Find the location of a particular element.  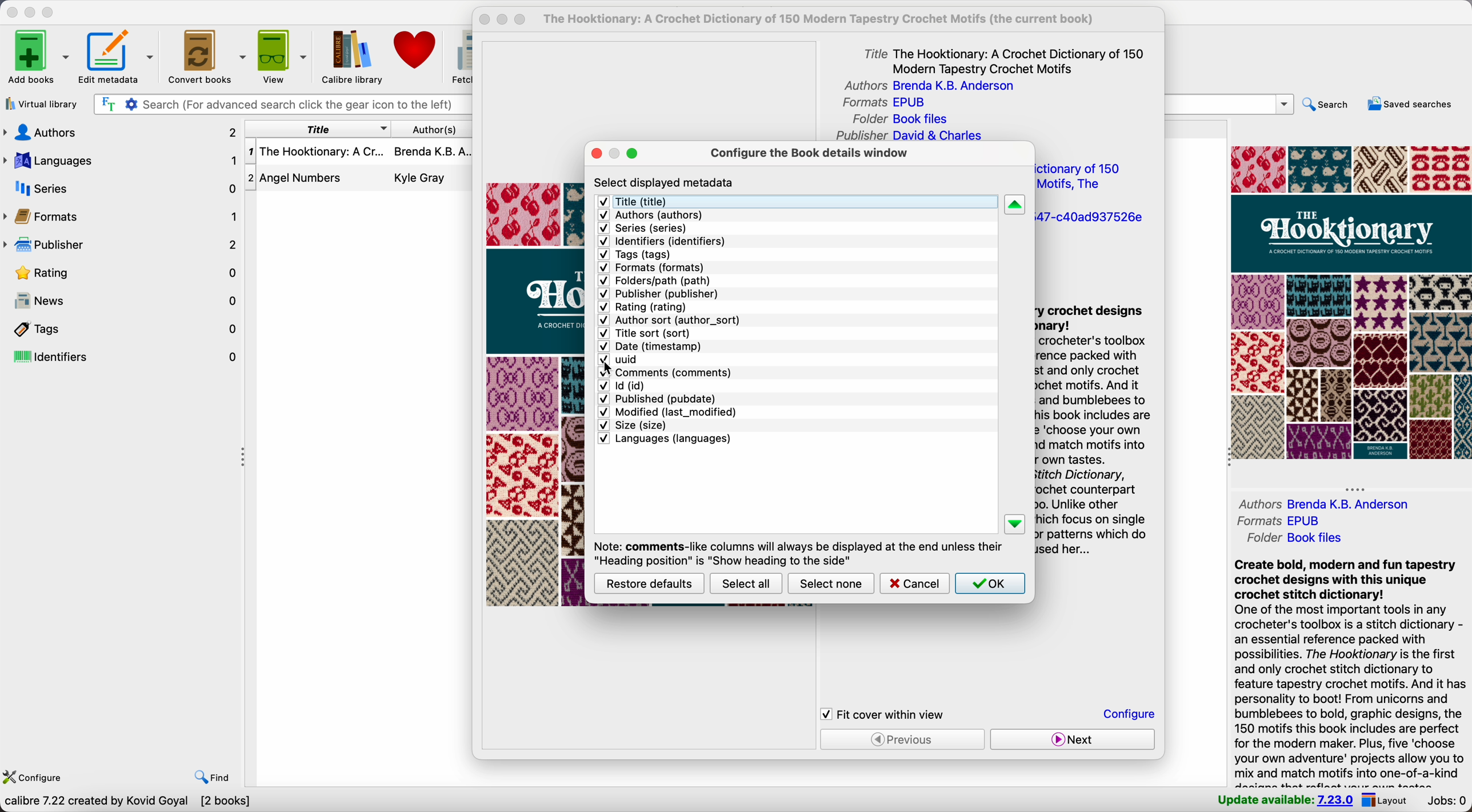

tags is located at coordinates (635, 254).